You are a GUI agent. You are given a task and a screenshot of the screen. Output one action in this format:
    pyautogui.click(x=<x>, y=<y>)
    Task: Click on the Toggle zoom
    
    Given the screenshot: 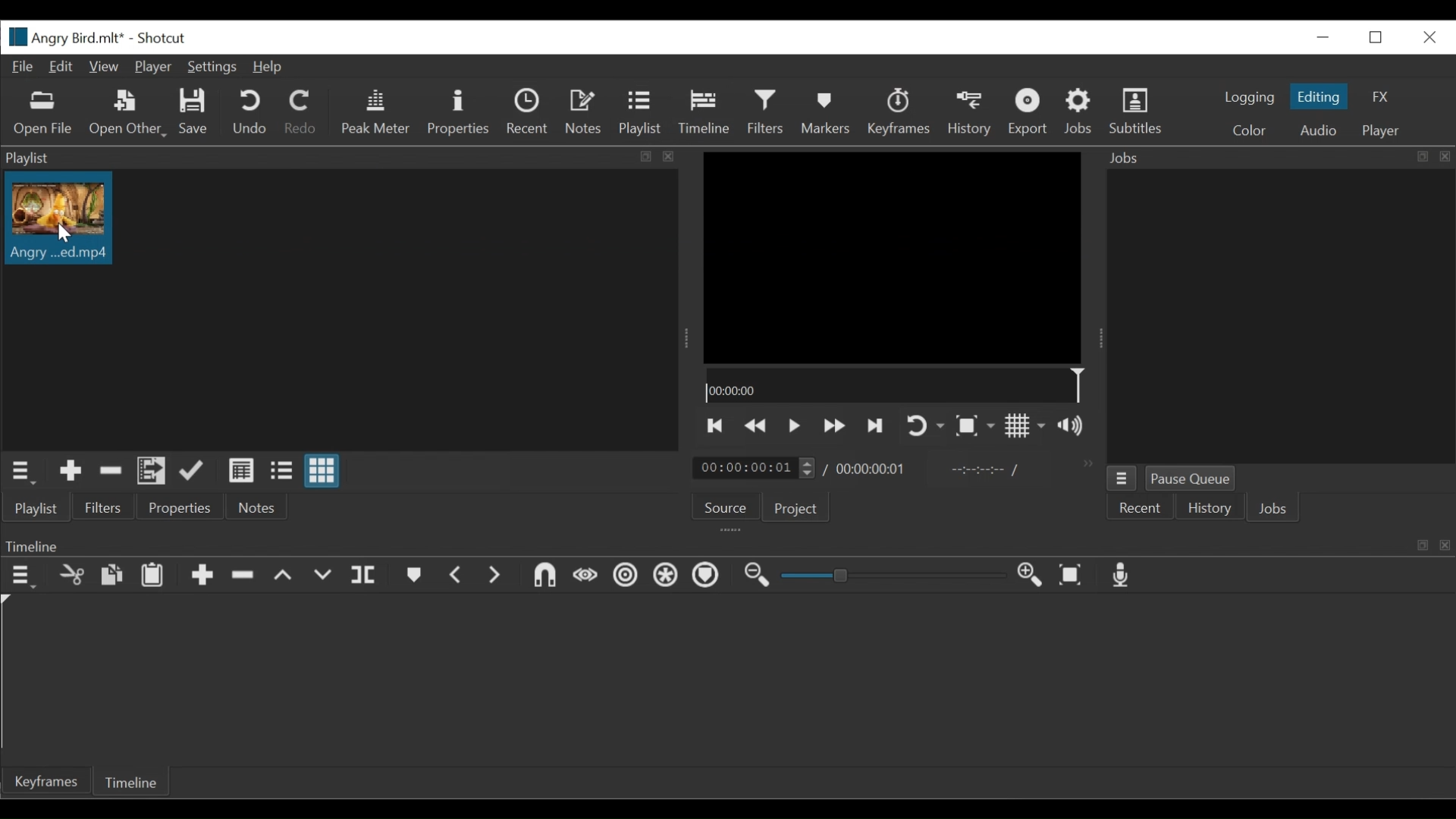 What is the action you would take?
    pyautogui.click(x=974, y=425)
    